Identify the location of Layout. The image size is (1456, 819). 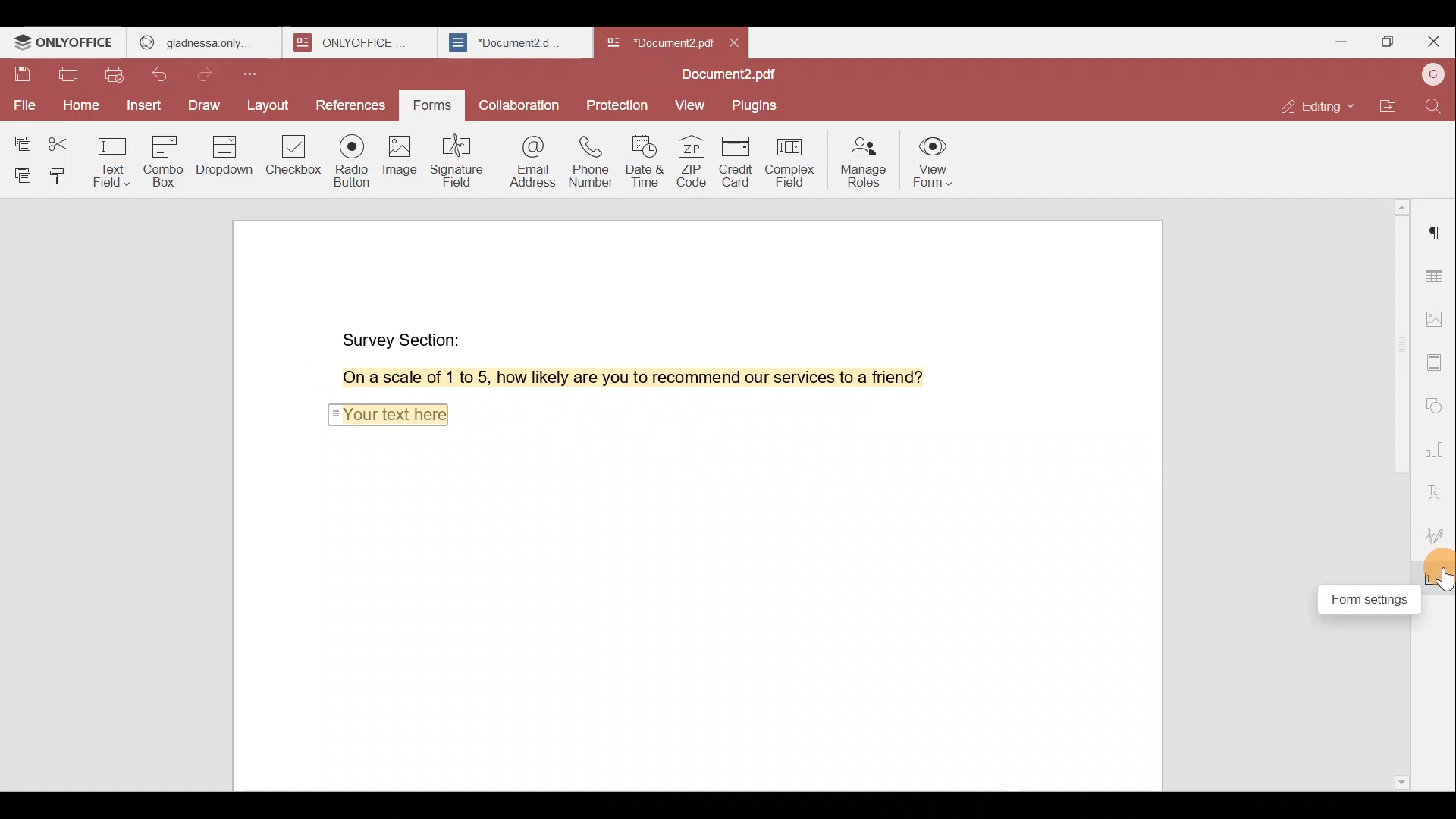
(268, 106).